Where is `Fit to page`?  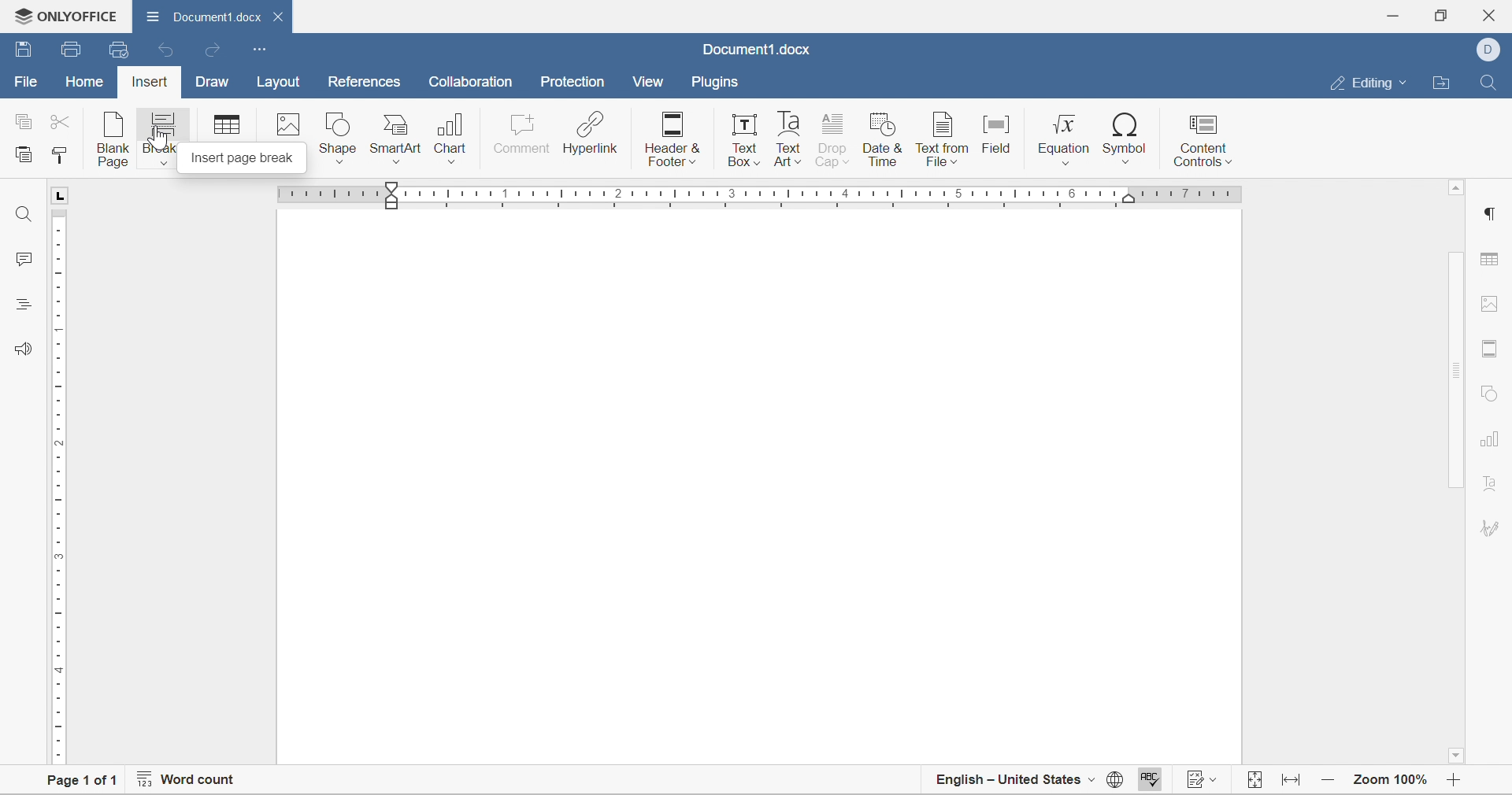
Fit to page is located at coordinates (1293, 782).